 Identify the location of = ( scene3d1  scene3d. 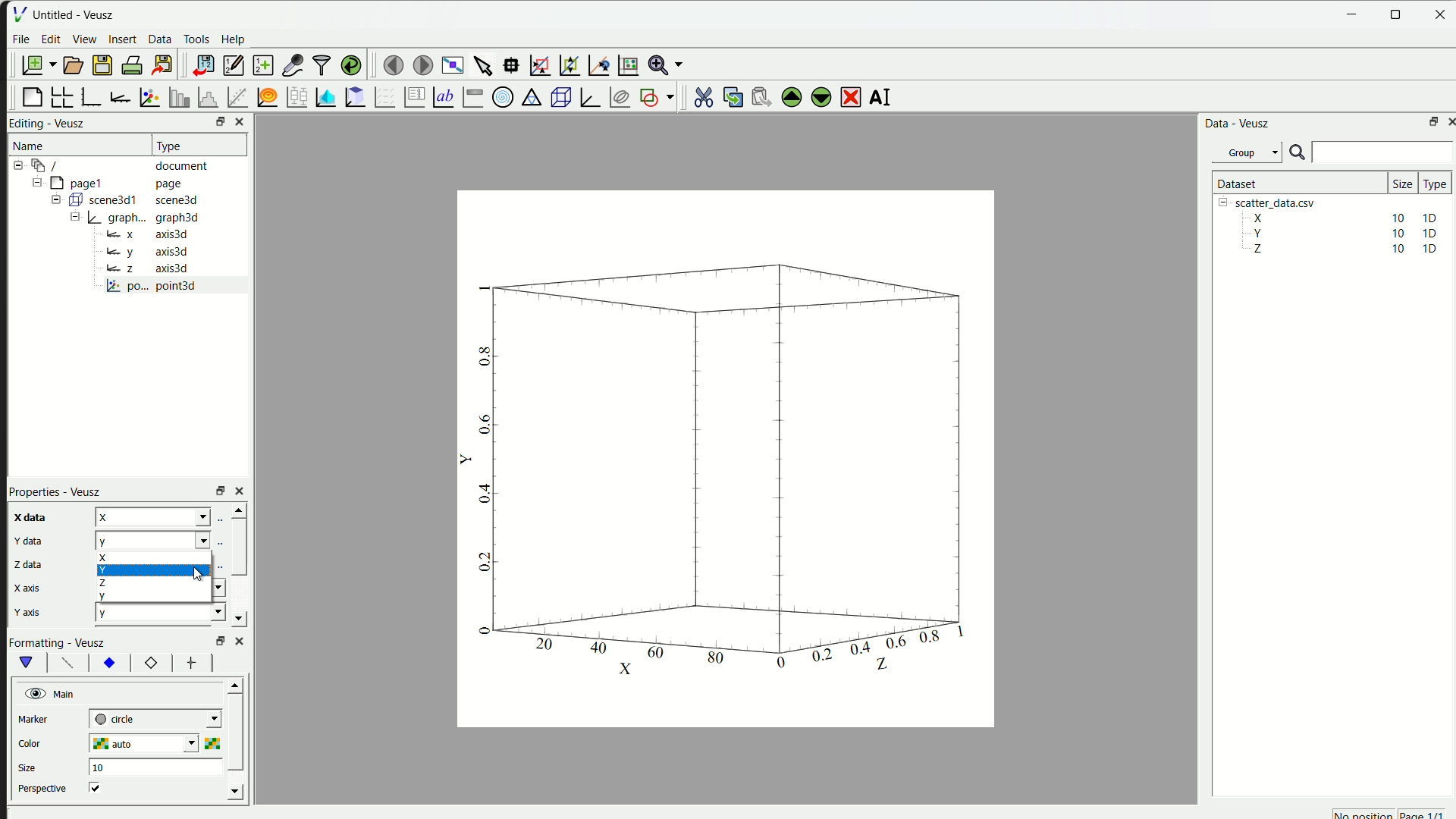
(128, 199).